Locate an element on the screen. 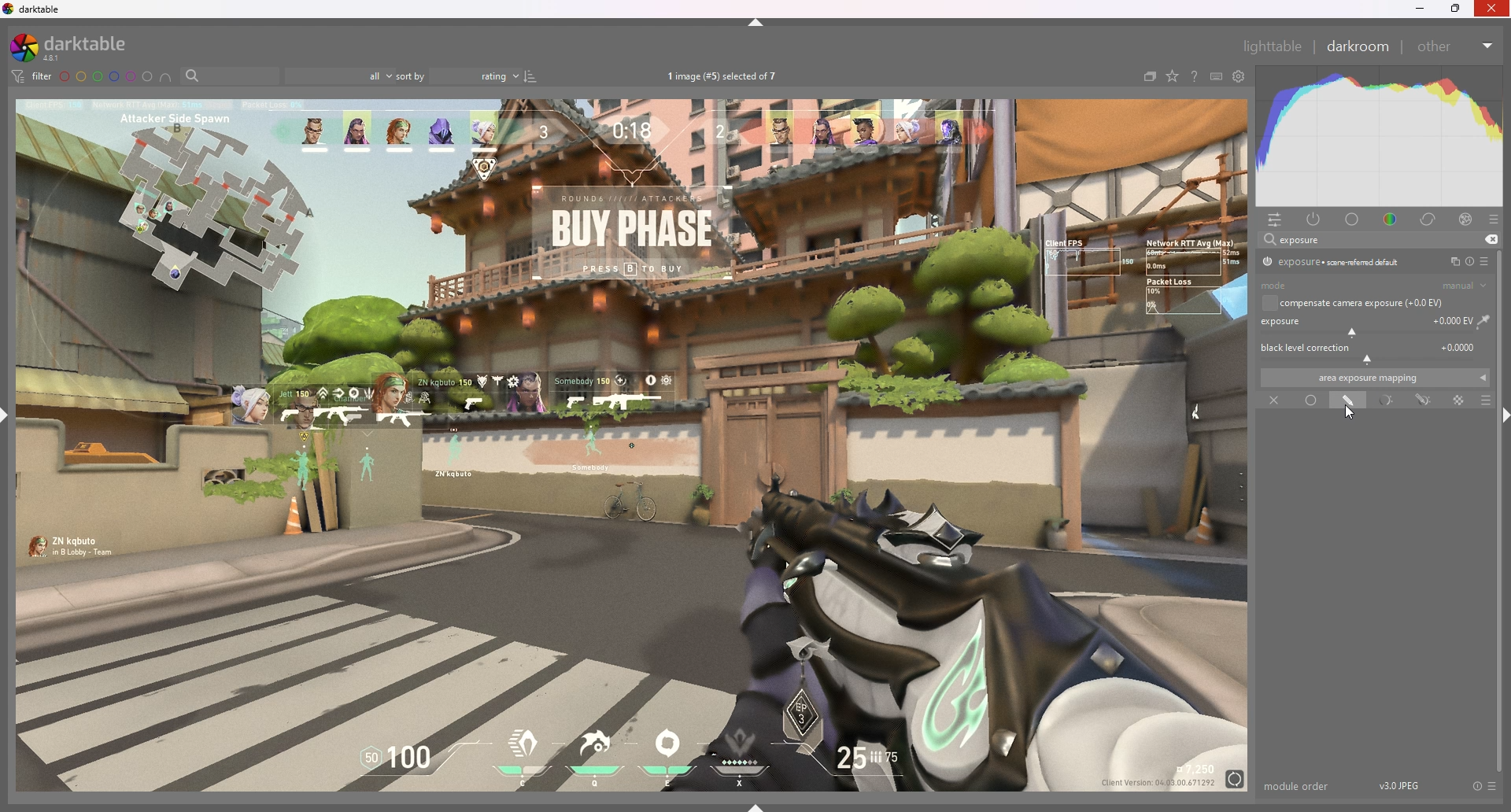 This screenshot has width=1511, height=812. color labels is located at coordinates (106, 77).